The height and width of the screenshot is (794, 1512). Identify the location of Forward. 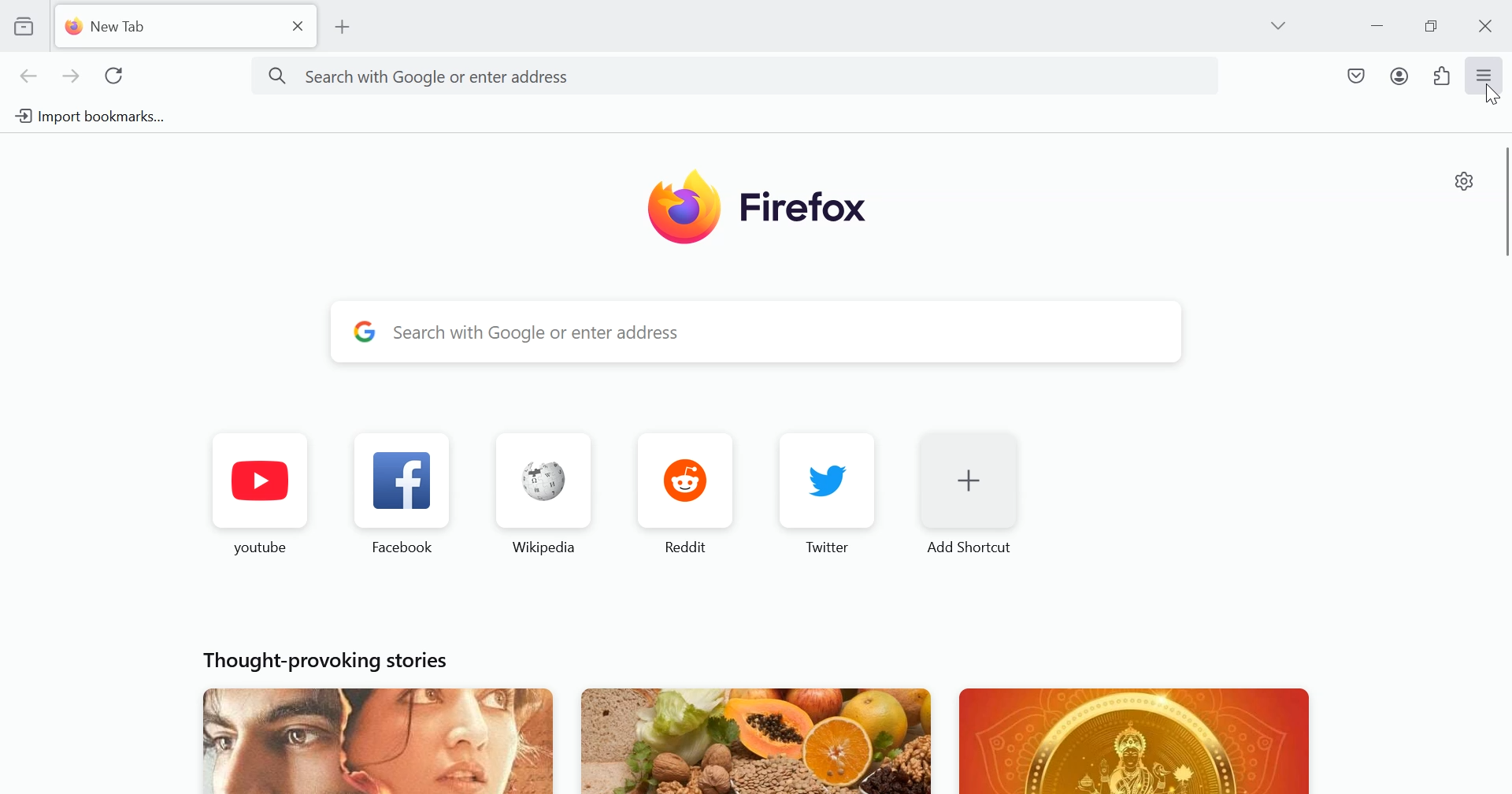
(70, 78).